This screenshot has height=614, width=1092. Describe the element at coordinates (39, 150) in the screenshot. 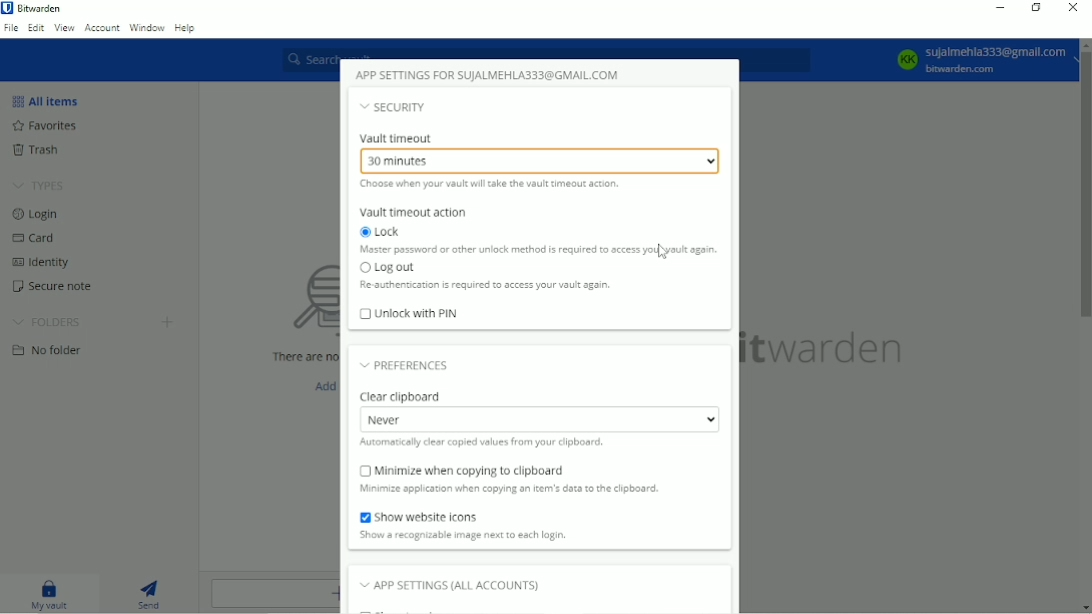

I see `Trash` at that location.